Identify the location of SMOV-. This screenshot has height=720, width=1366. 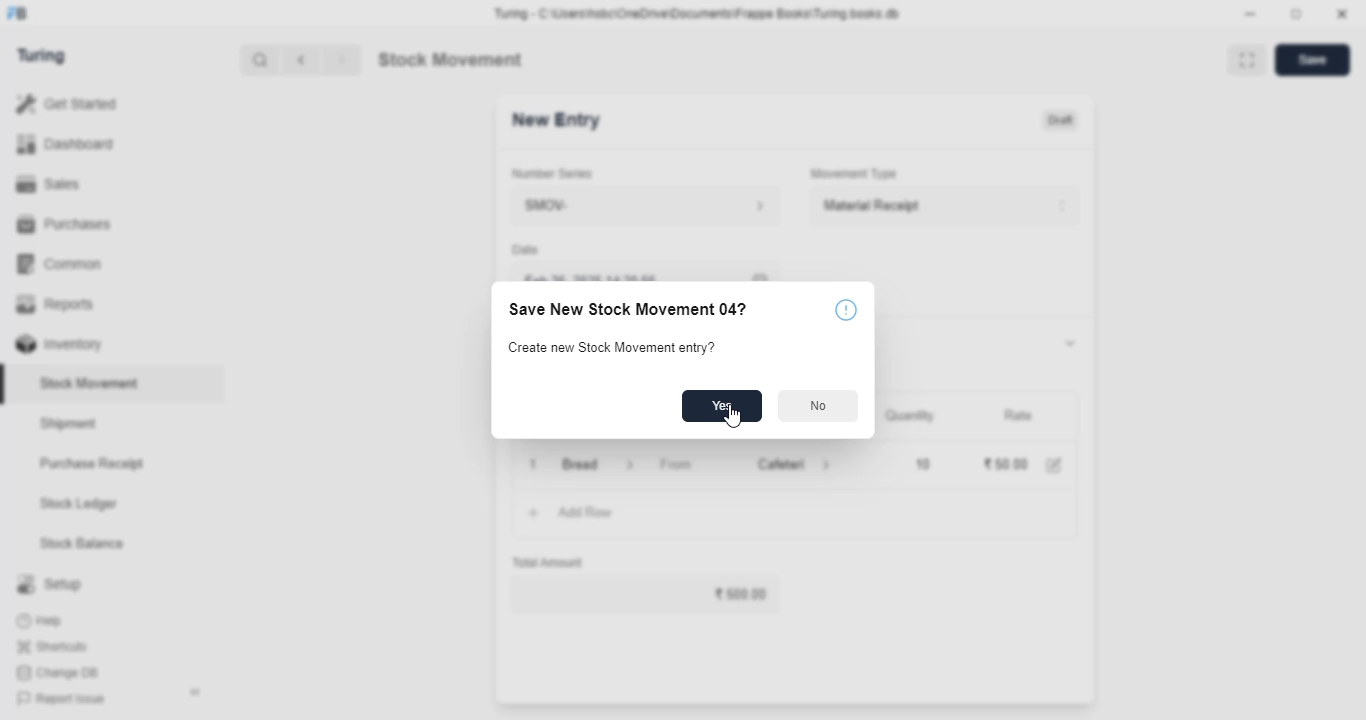
(647, 205).